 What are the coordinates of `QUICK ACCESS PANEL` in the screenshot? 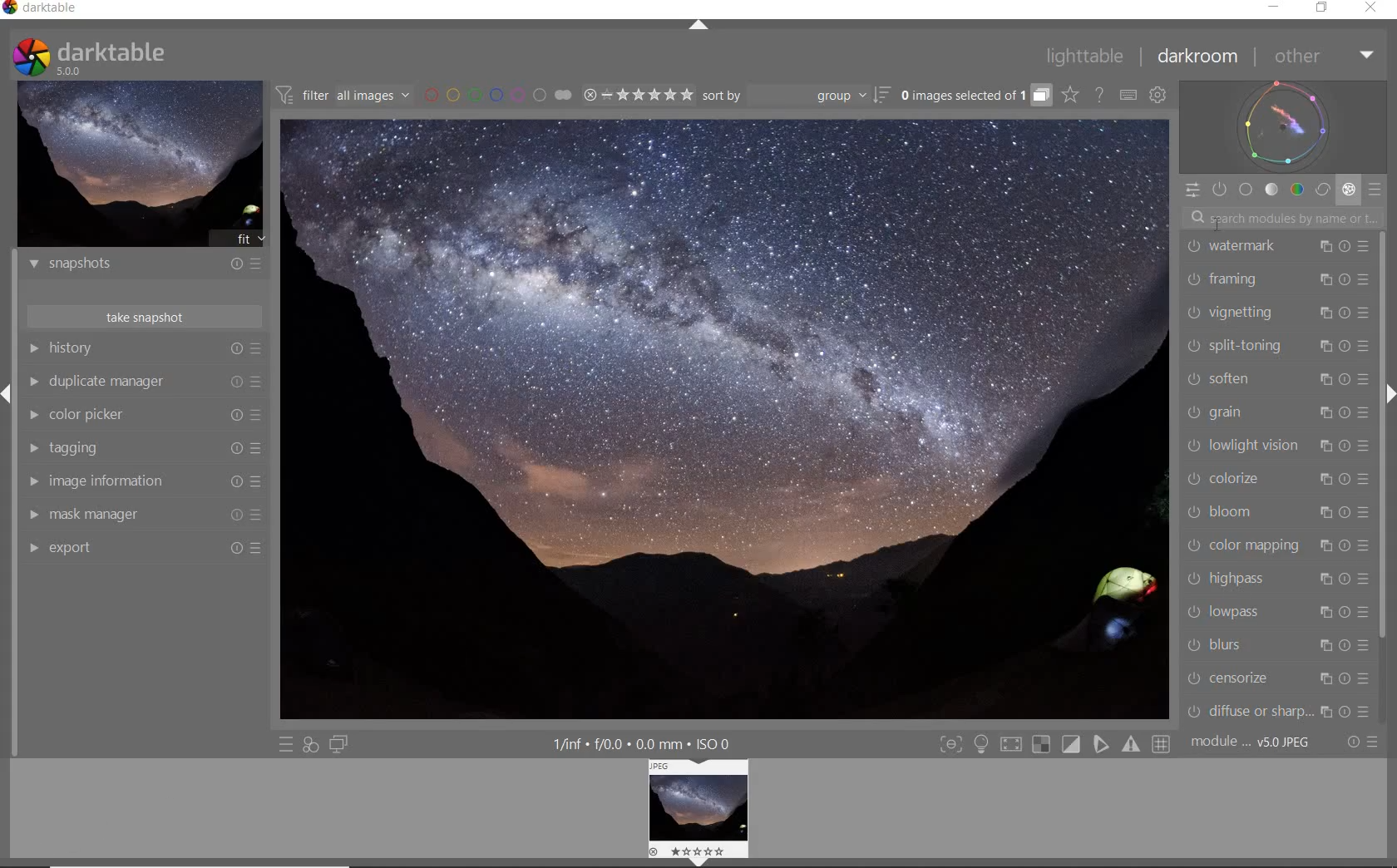 It's located at (1196, 191).